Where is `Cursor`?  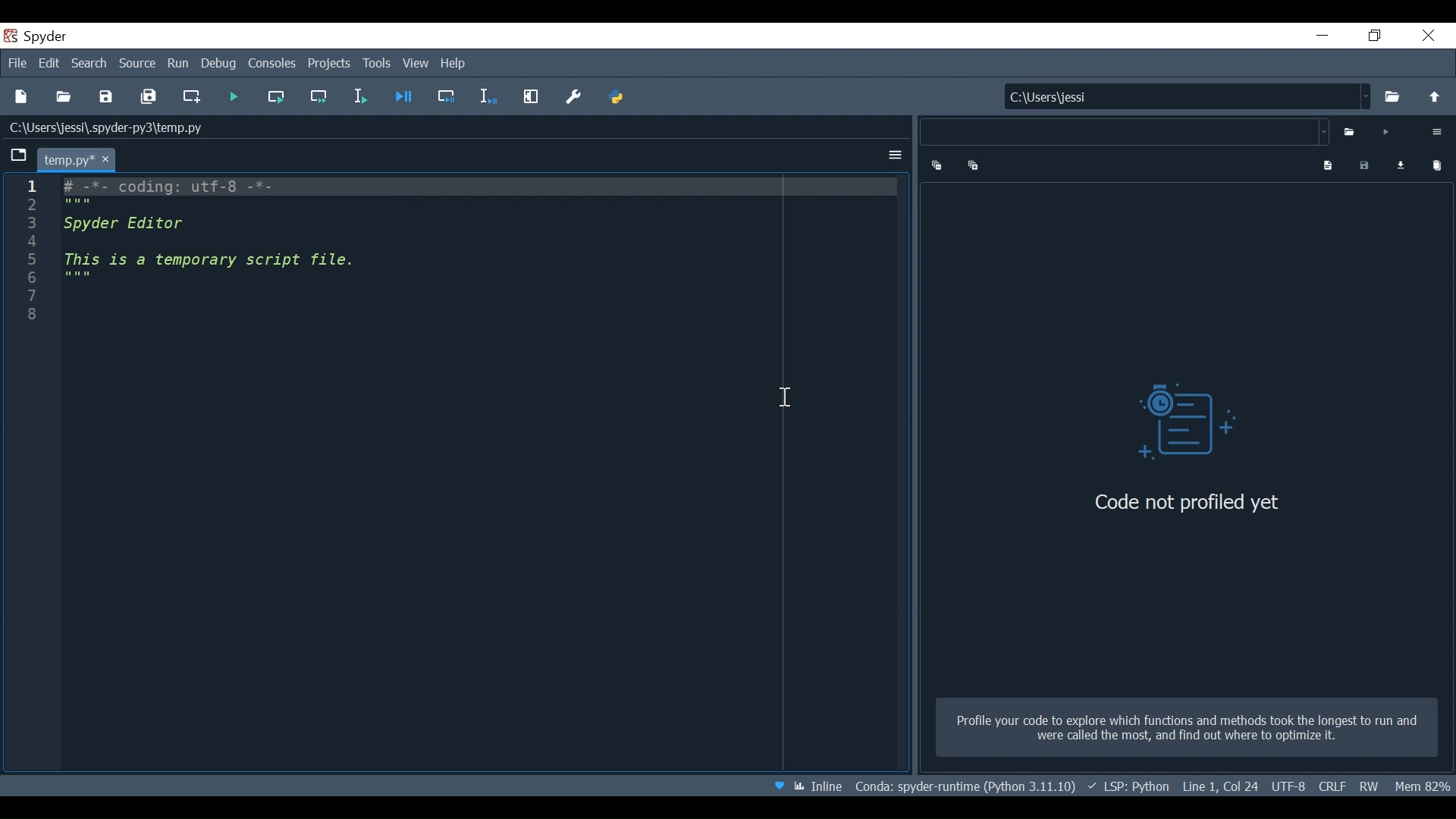
Cursor is located at coordinates (783, 395).